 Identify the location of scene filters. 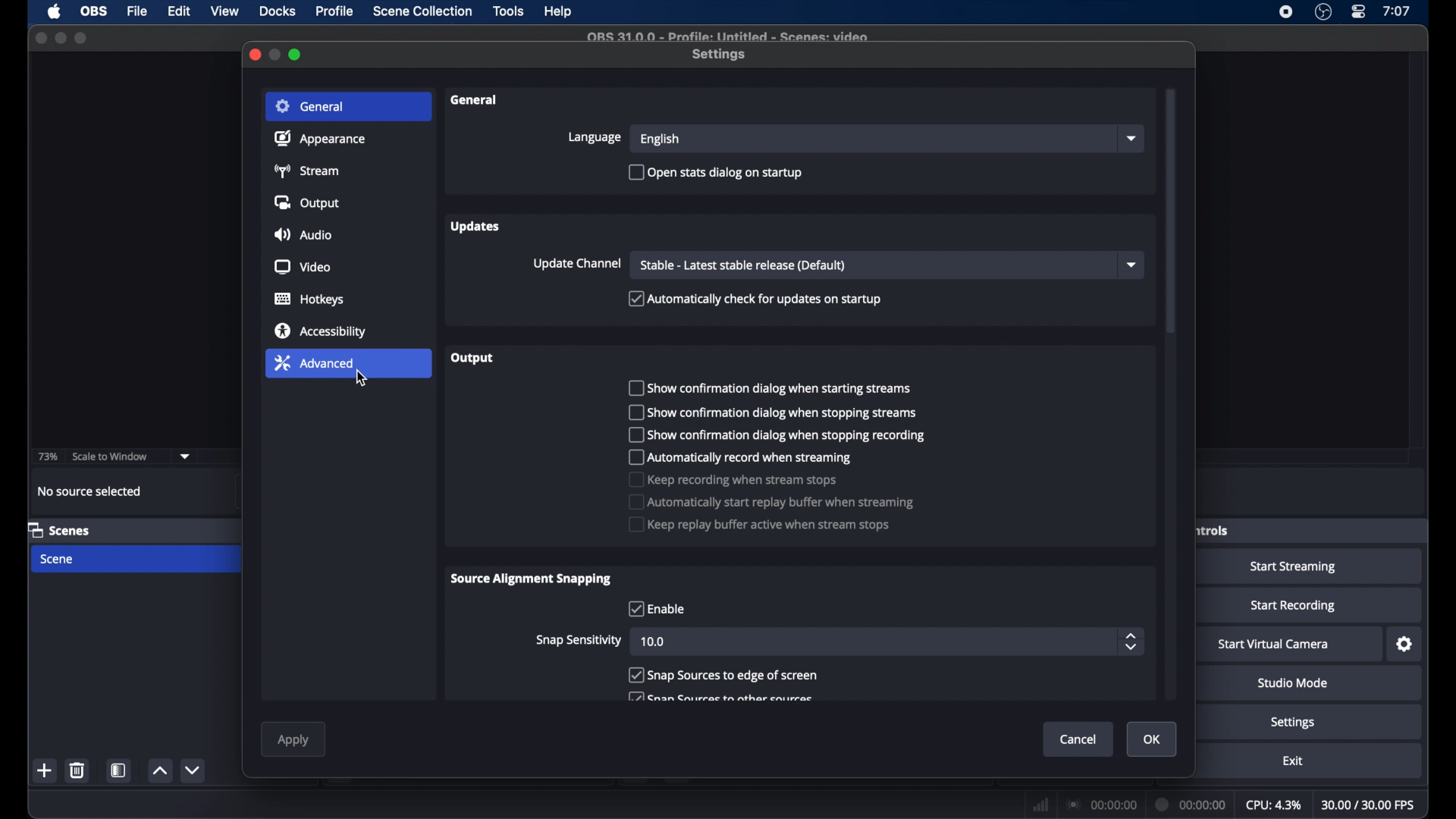
(119, 770).